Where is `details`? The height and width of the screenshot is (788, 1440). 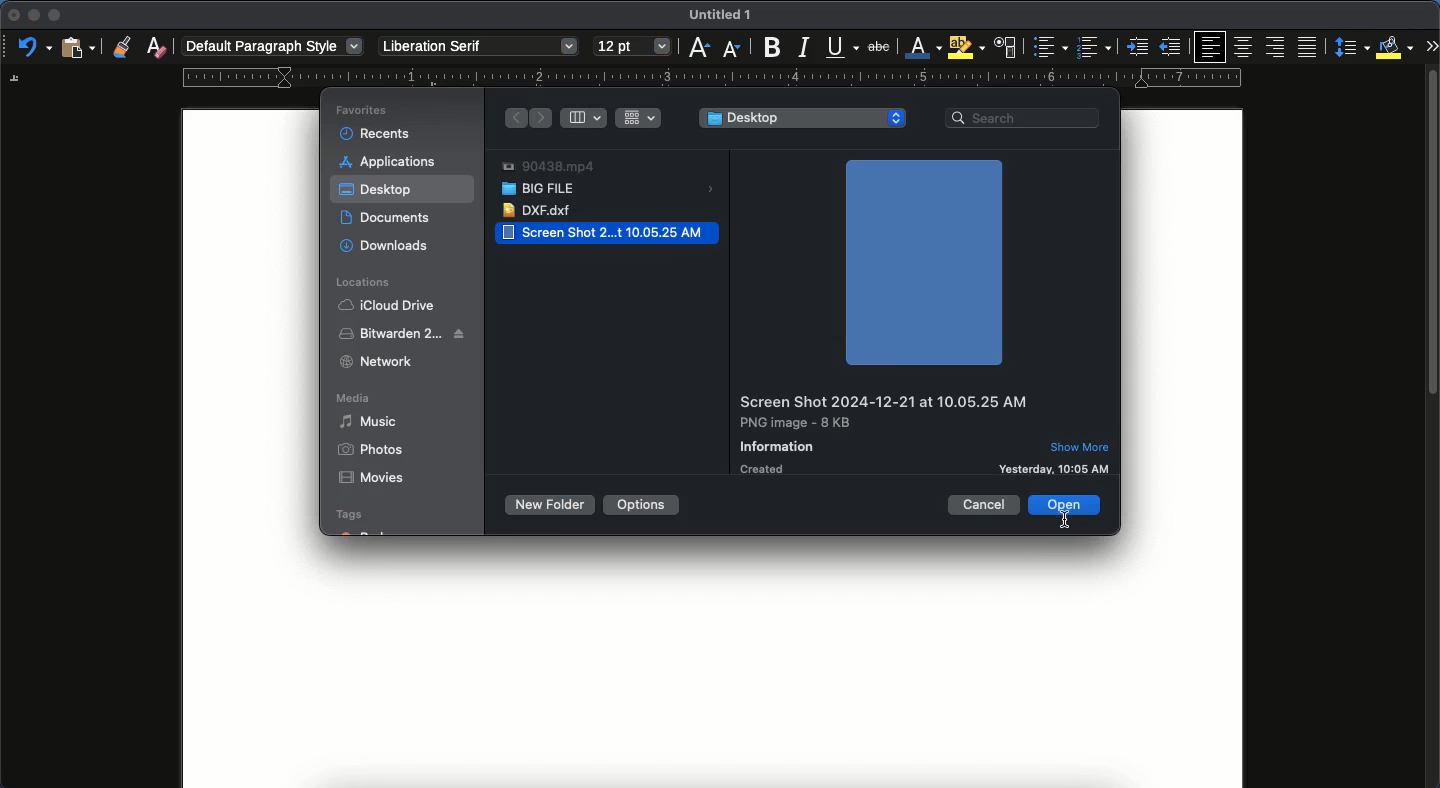
details is located at coordinates (1079, 467).